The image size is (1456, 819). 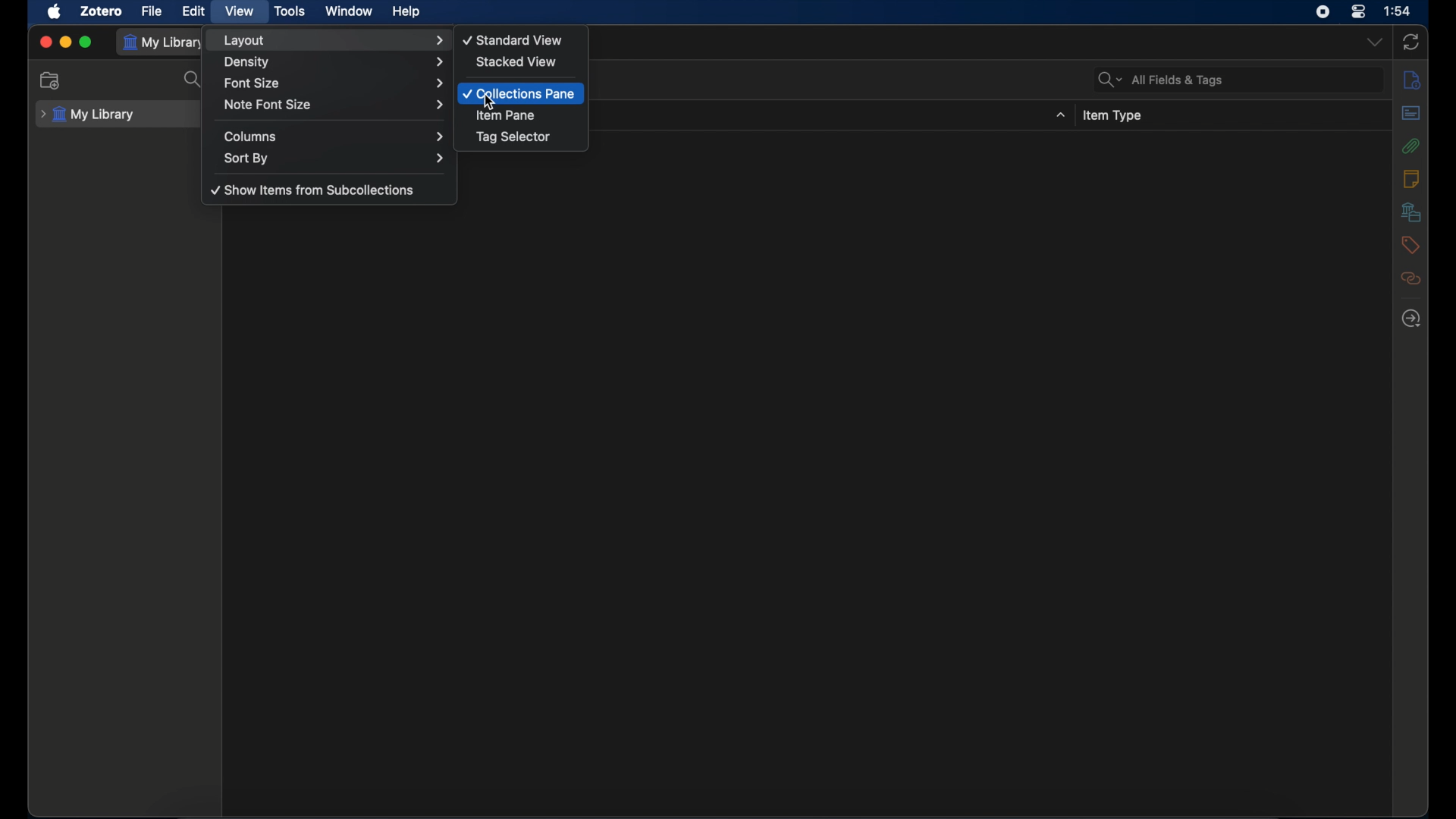 What do you see at coordinates (52, 80) in the screenshot?
I see `new collections` at bounding box center [52, 80].